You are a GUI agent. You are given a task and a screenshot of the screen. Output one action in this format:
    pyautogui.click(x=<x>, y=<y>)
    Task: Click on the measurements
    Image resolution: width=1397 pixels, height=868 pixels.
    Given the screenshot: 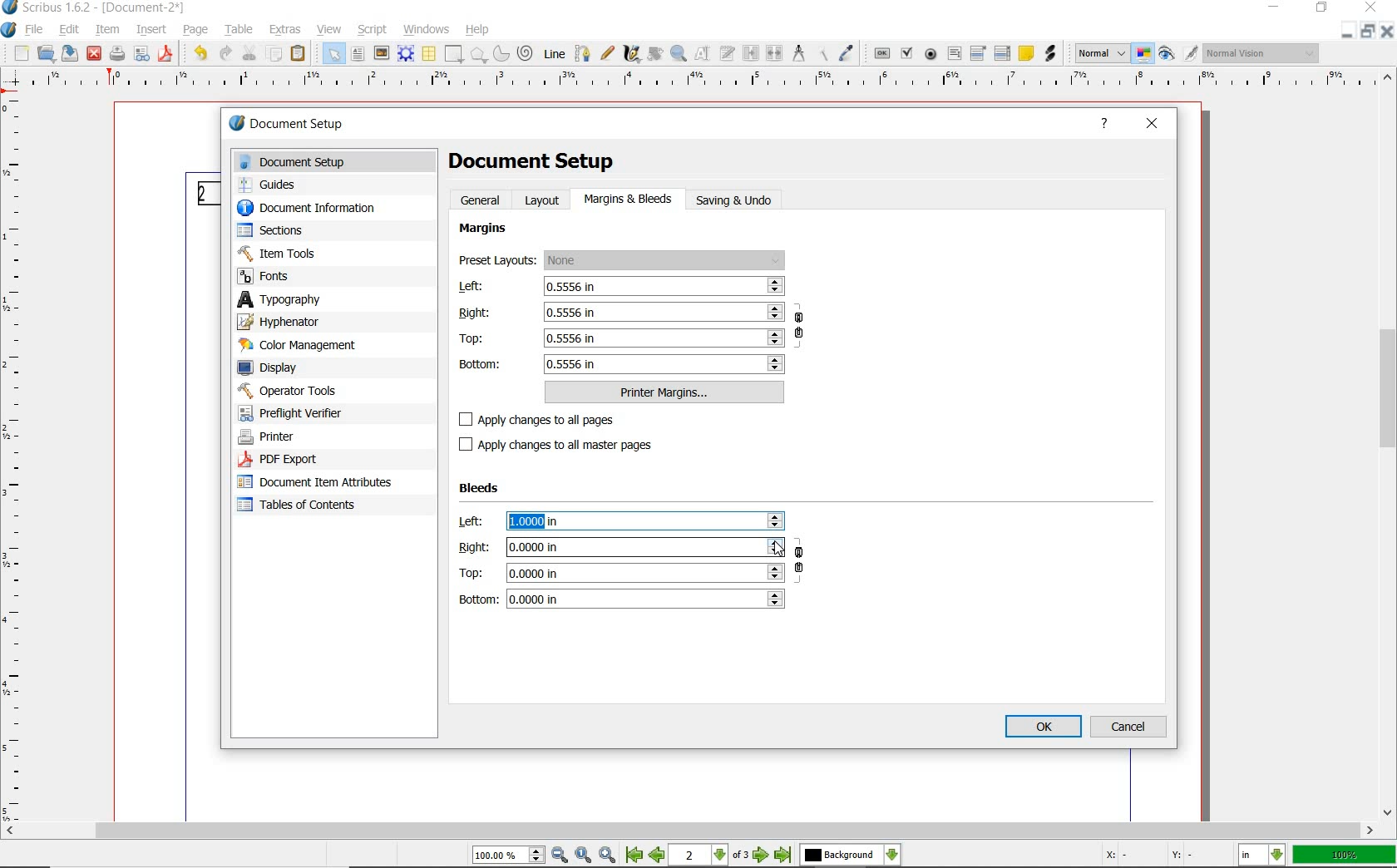 What is the action you would take?
    pyautogui.click(x=800, y=55)
    